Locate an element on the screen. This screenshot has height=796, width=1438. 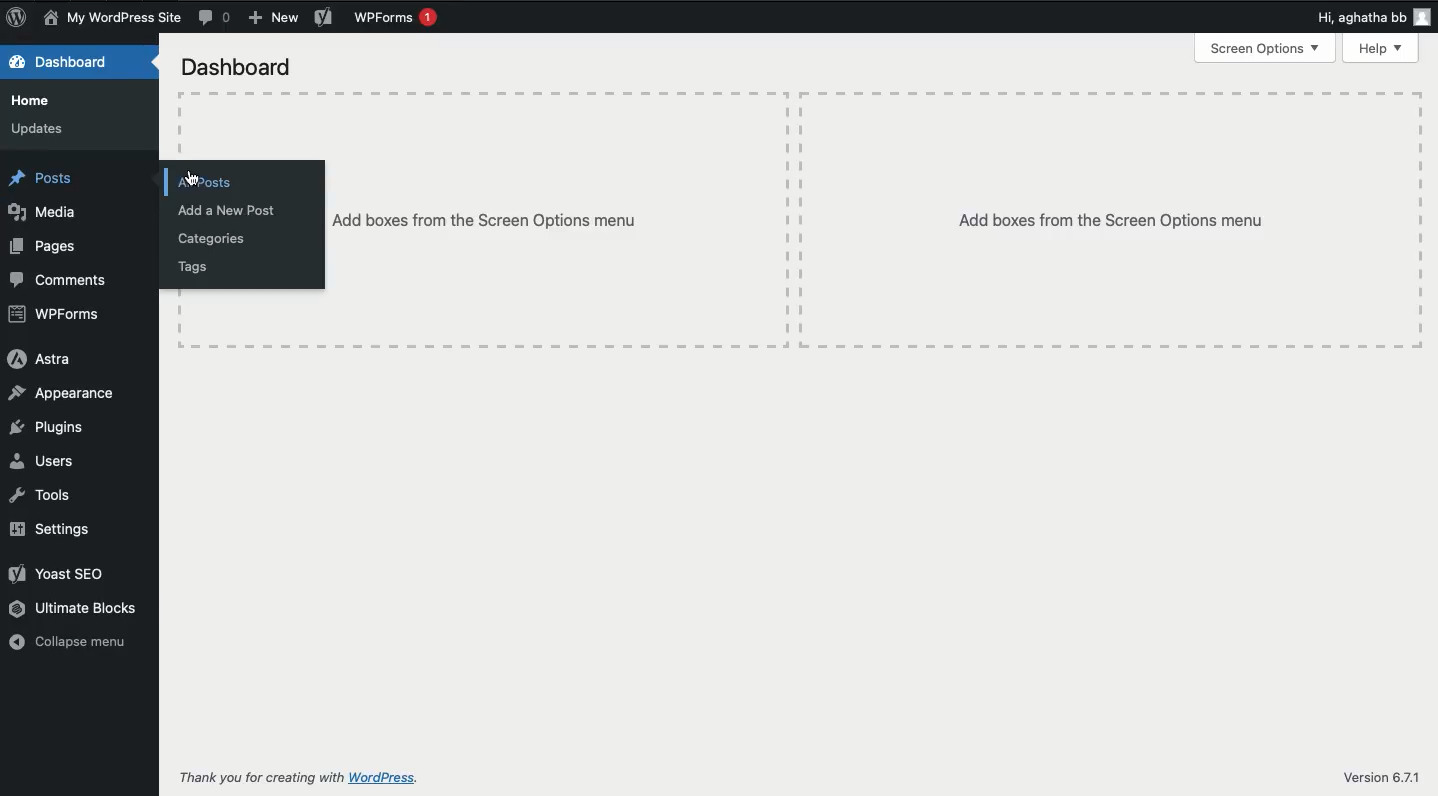
Help is located at coordinates (1382, 48).